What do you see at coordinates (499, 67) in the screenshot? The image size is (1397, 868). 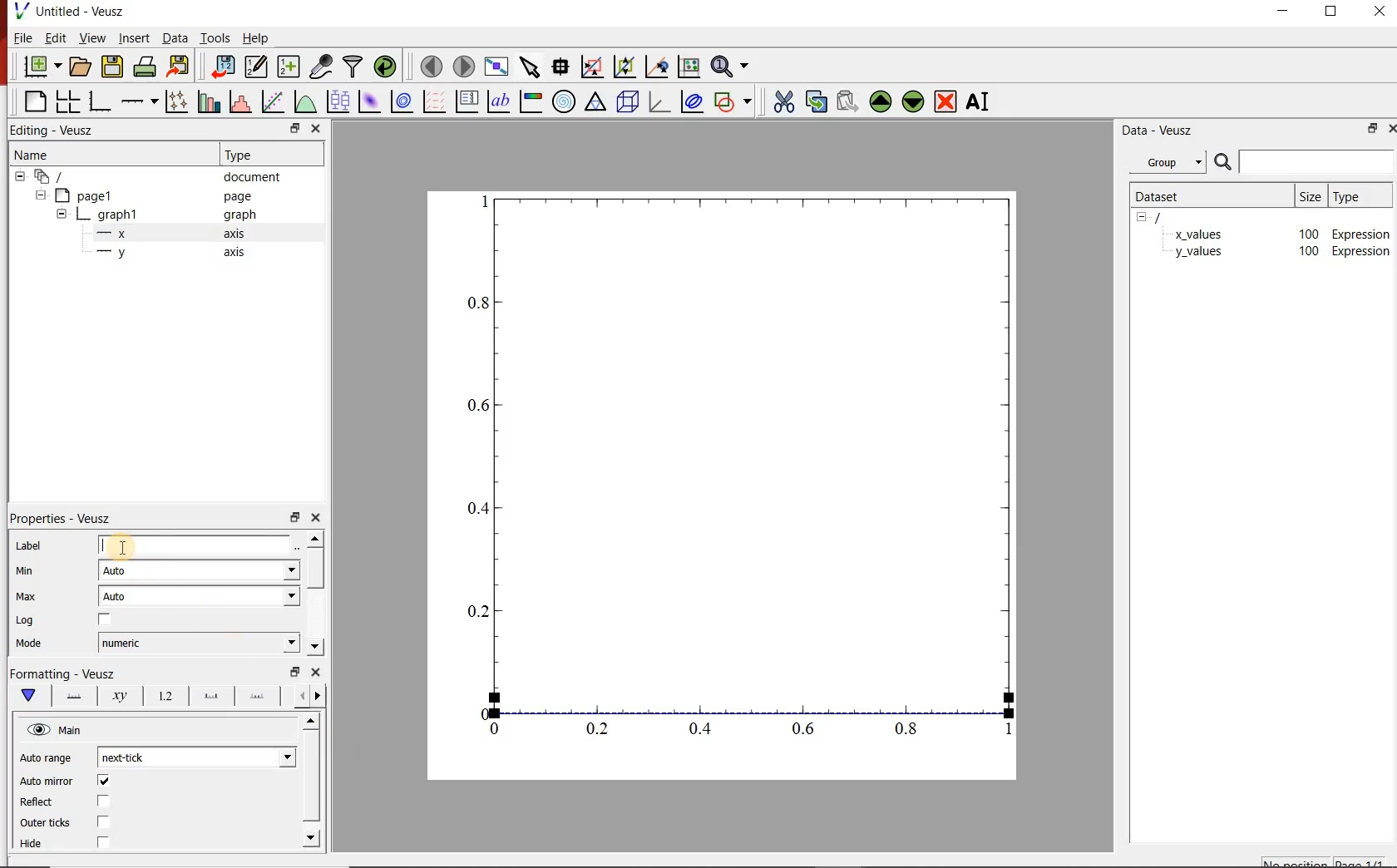 I see `view plot fullscreen` at bounding box center [499, 67].